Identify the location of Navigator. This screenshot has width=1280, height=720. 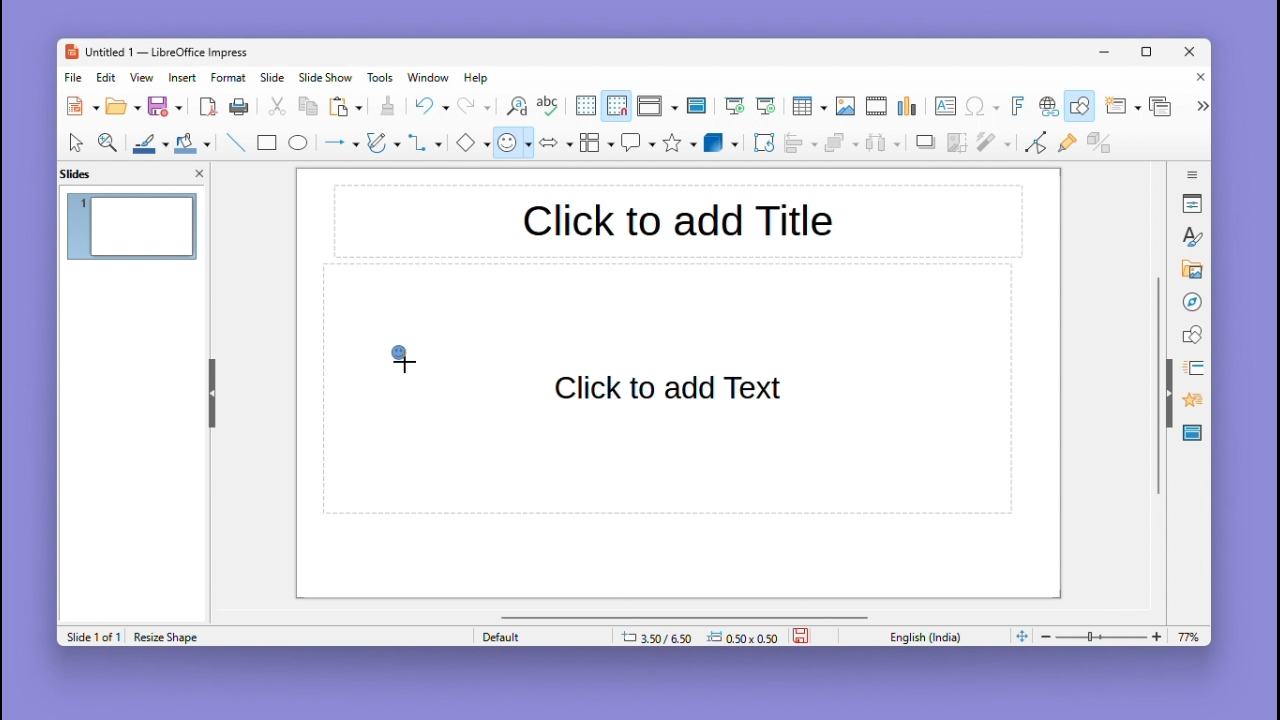
(1192, 300).